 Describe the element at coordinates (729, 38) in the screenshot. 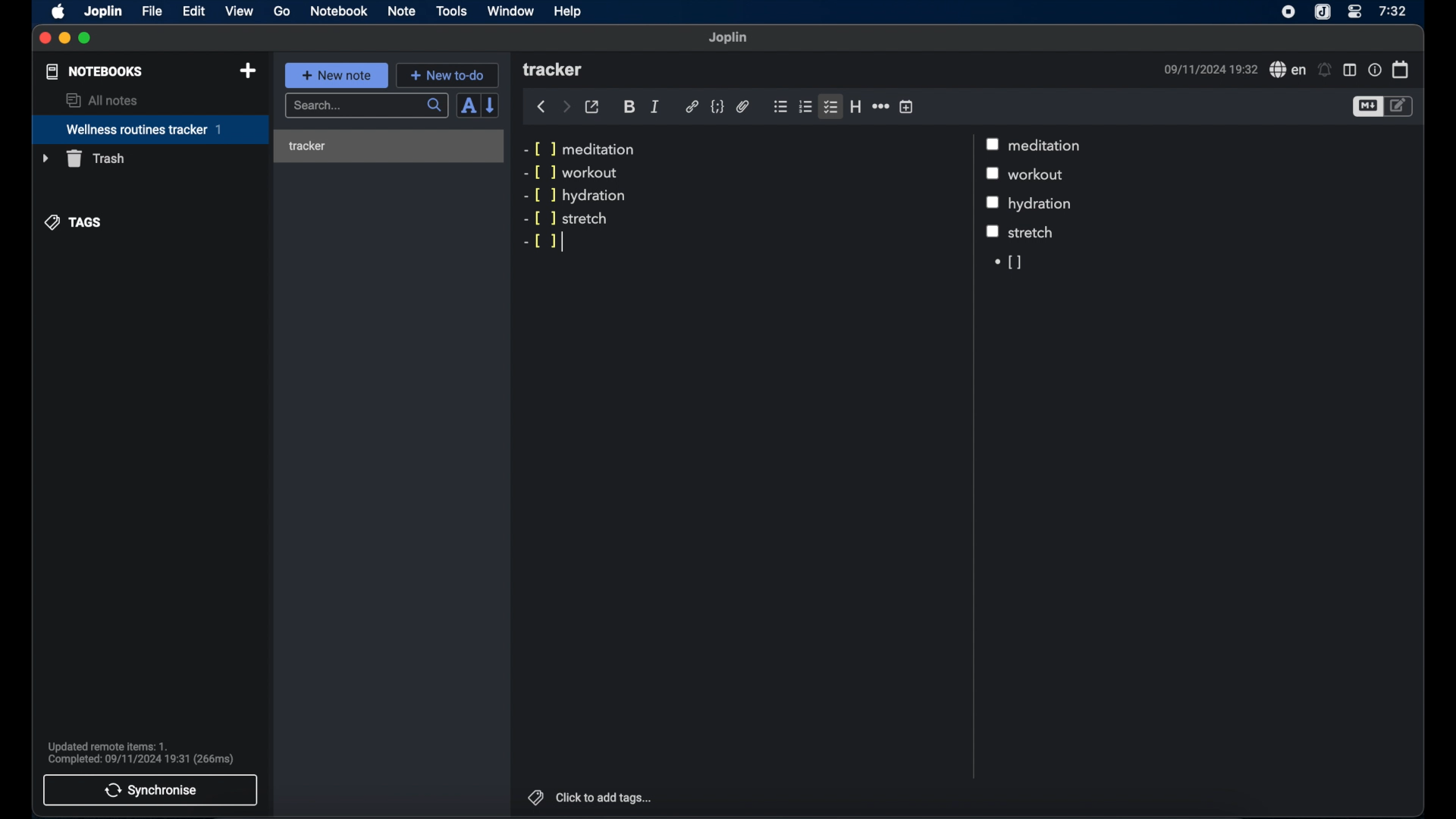

I see `joplin` at that location.